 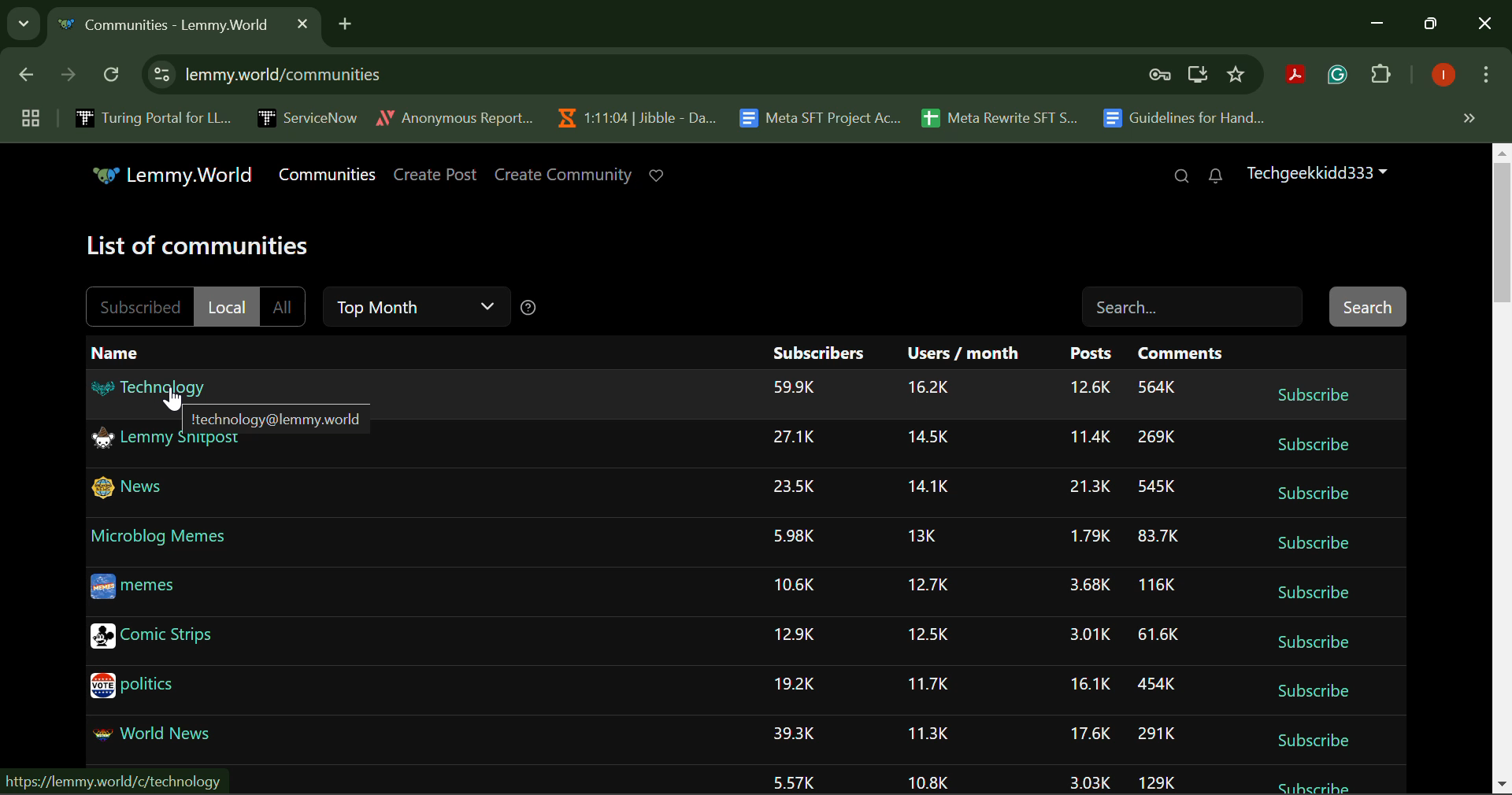 I want to click on Donate to Lemmy, so click(x=658, y=176).